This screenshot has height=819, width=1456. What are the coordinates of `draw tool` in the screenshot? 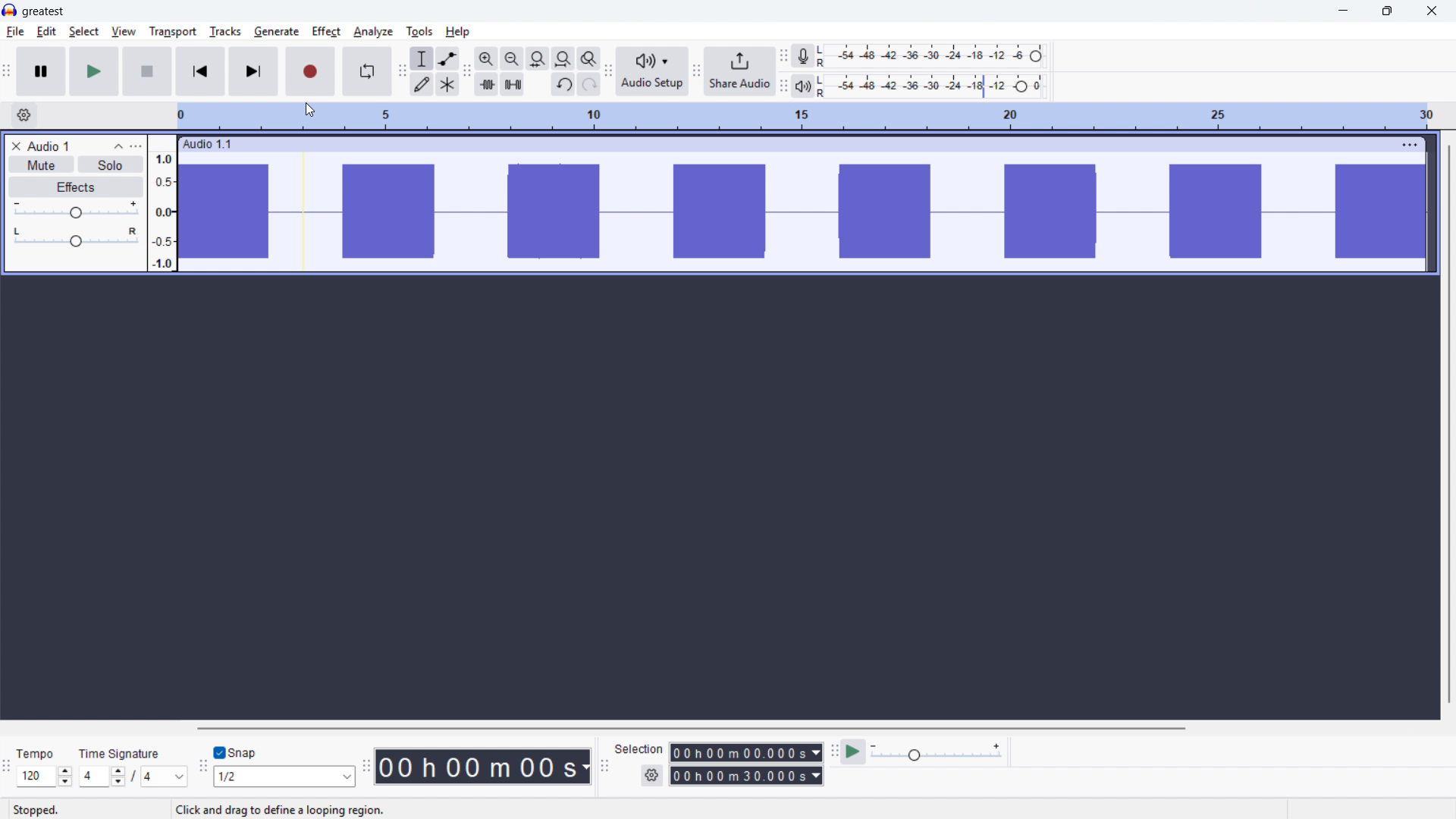 It's located at (422, 83).